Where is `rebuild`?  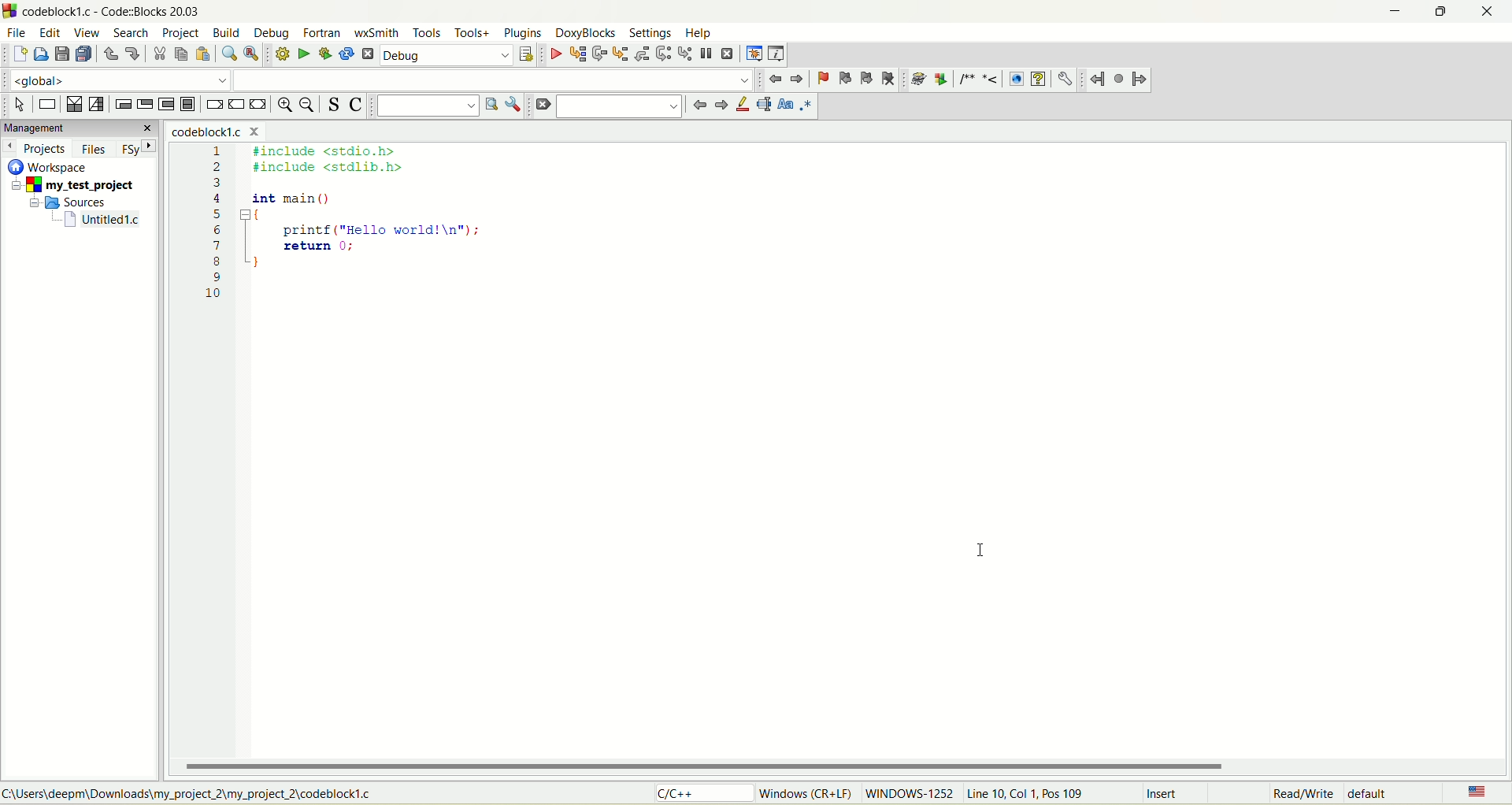 rebuild is located at coordinates (346, 55).